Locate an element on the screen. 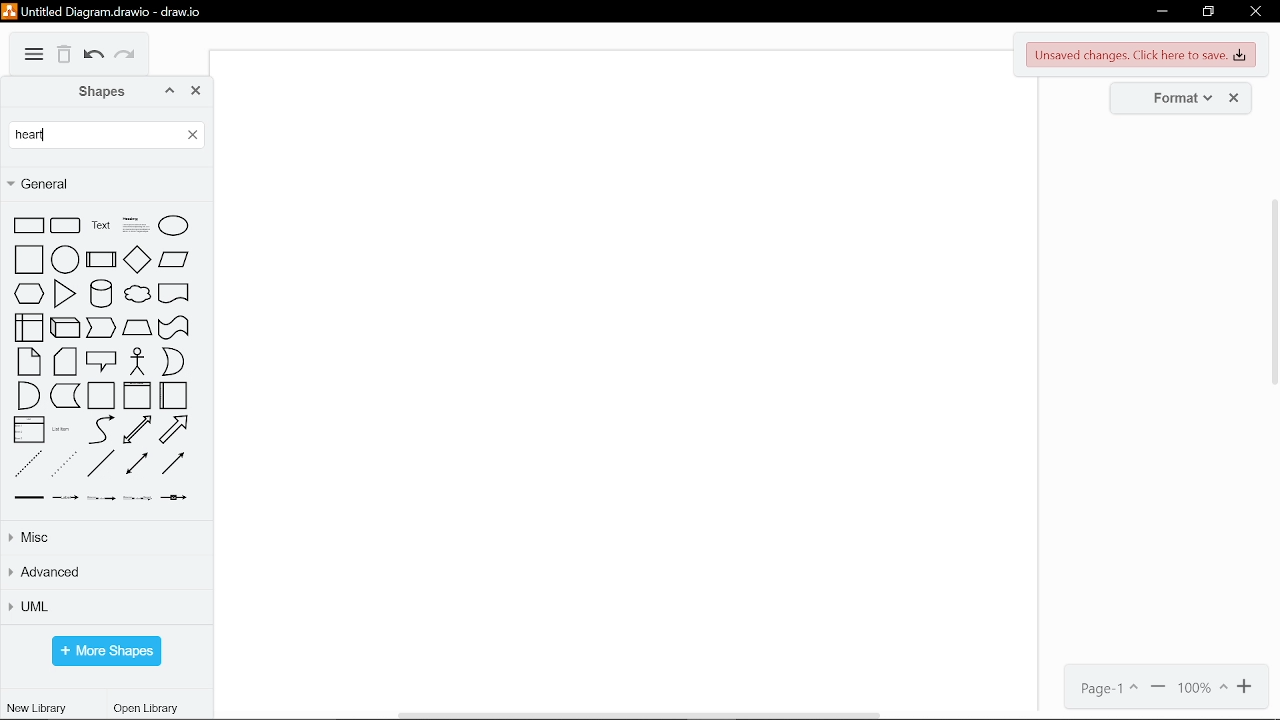 The height and width of the screenshot is (720, 1280). connector with symbol is located at coordinates (176, 498).